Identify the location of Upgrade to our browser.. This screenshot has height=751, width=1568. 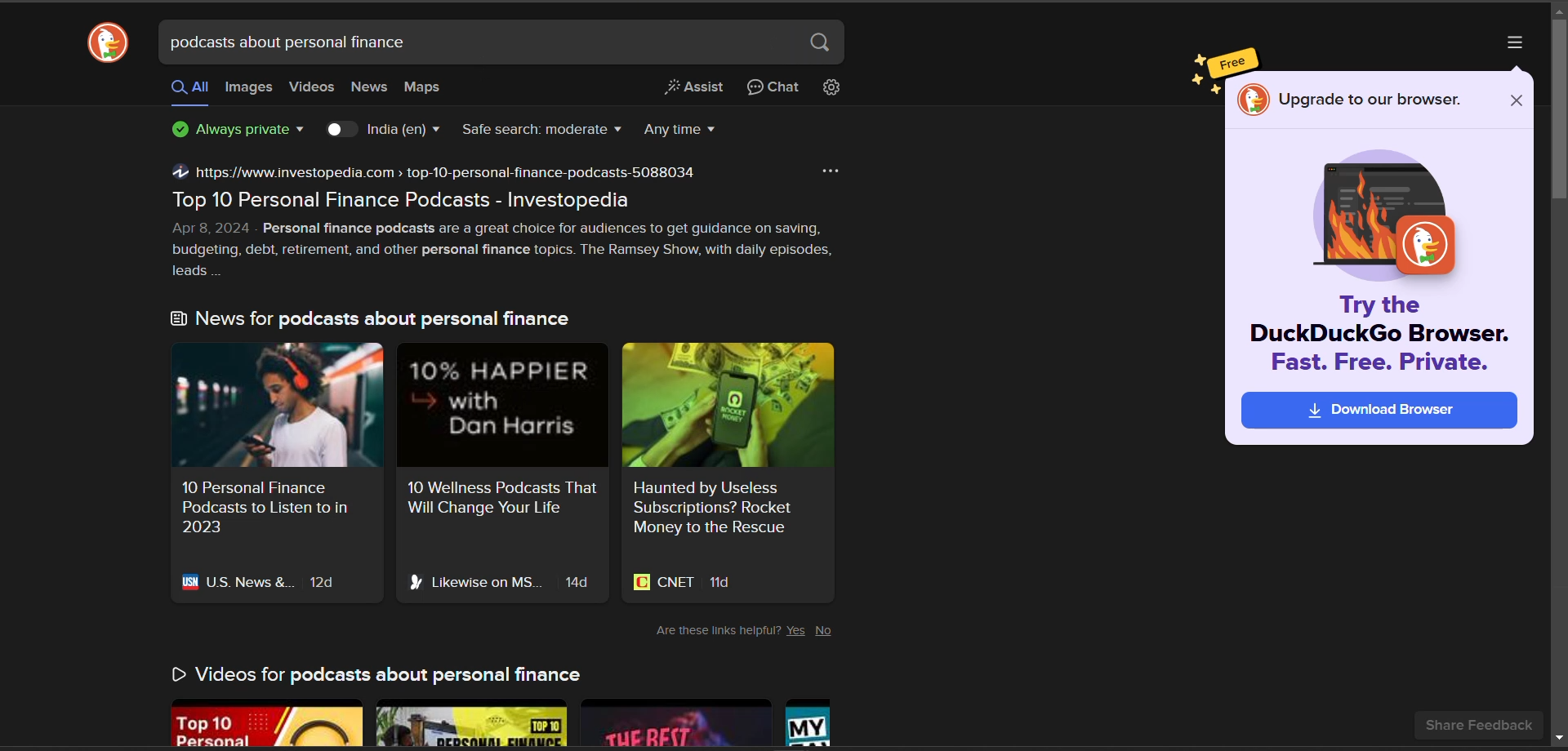
(1354, 101).